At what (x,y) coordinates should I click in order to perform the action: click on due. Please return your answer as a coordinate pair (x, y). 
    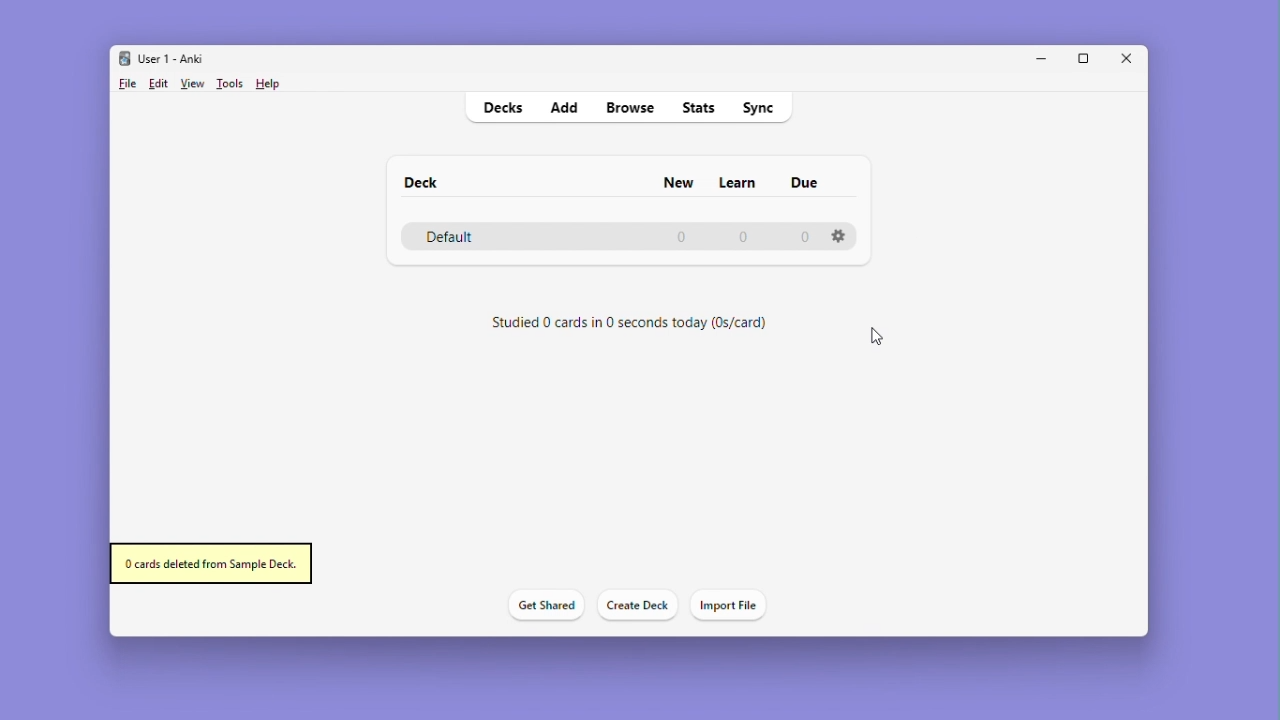
    Looking at the image, I should click on (806, 182).